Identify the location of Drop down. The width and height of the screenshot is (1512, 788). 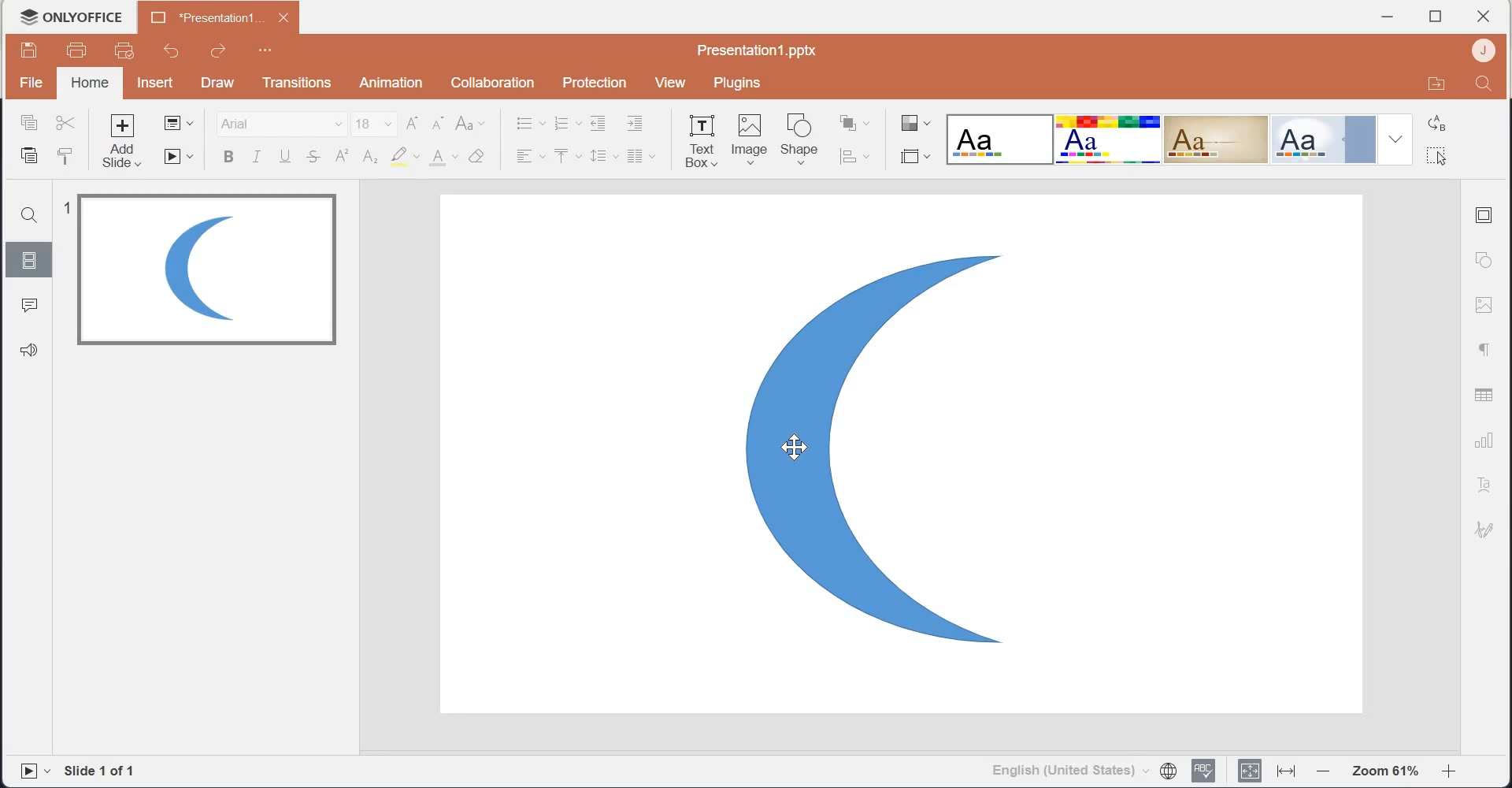
(1394, 139).